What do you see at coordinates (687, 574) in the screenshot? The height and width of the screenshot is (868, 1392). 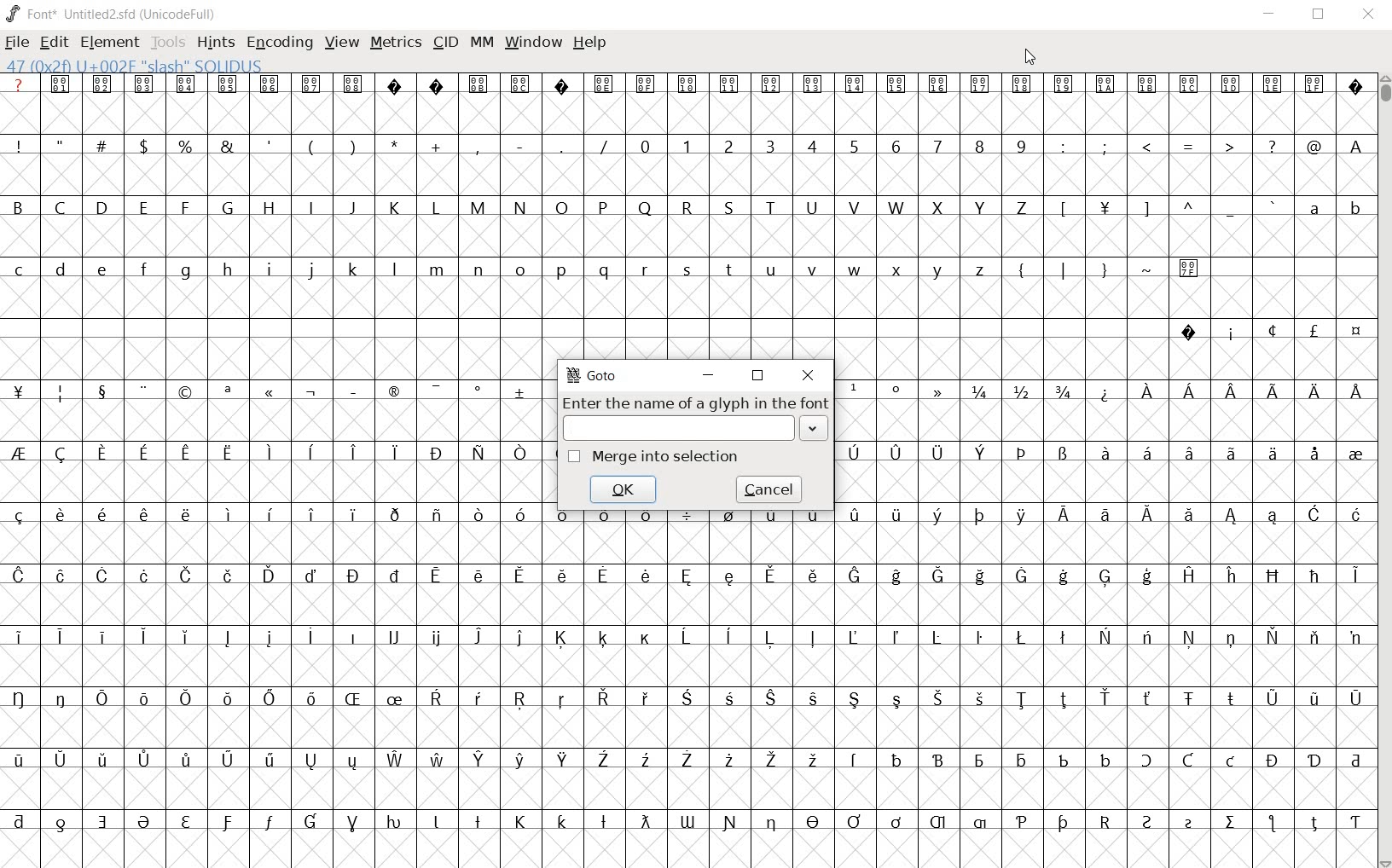 I see `special letters` at bounding box center [687, 574].